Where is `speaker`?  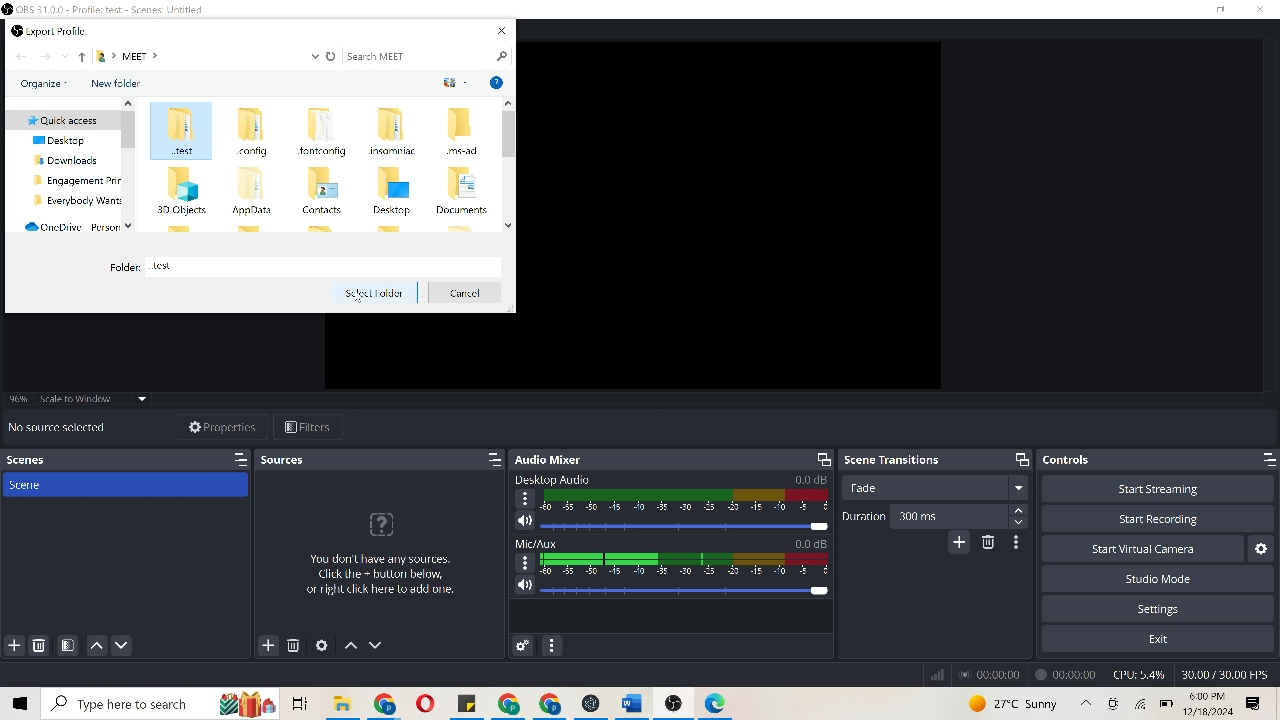
speaker is located at coordinates (524, 520).